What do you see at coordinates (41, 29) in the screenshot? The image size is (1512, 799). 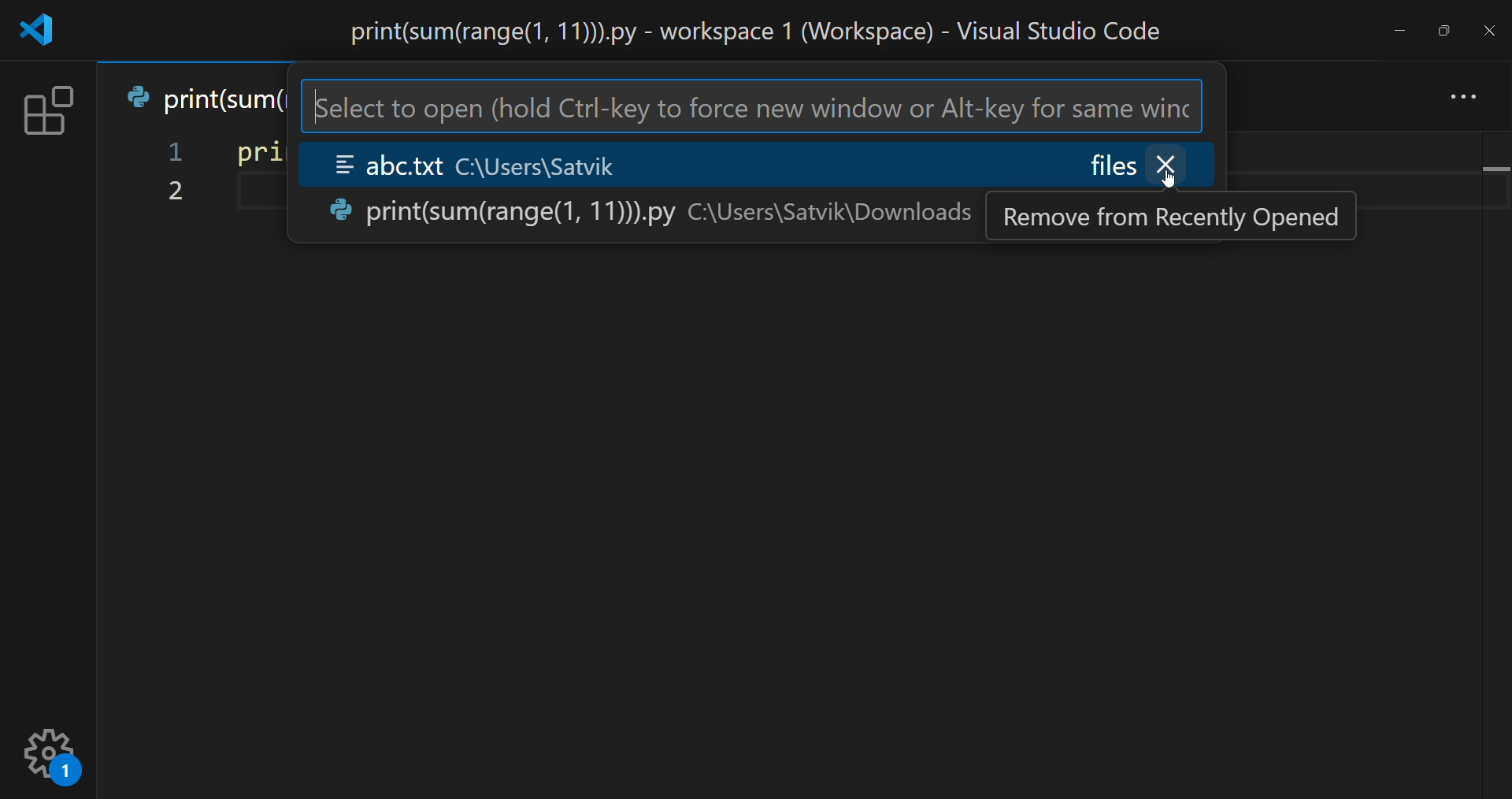 I see `logo` at bounding box center [41, 29].